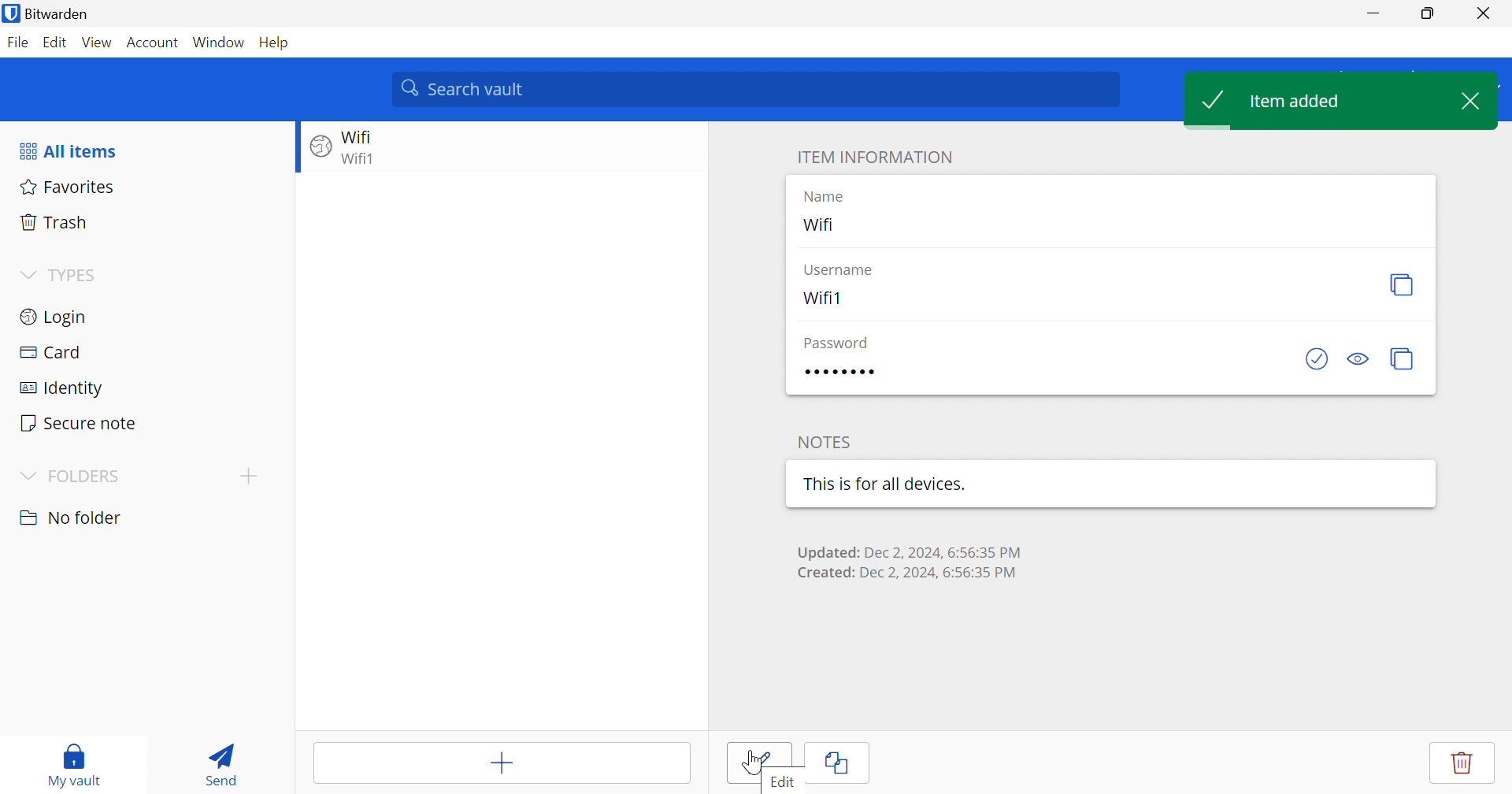  Describe the element at coordinates (910, 551) in the screenshot. I see `Updated: Dec 2, 2024,6:56:35 PM` at that location.